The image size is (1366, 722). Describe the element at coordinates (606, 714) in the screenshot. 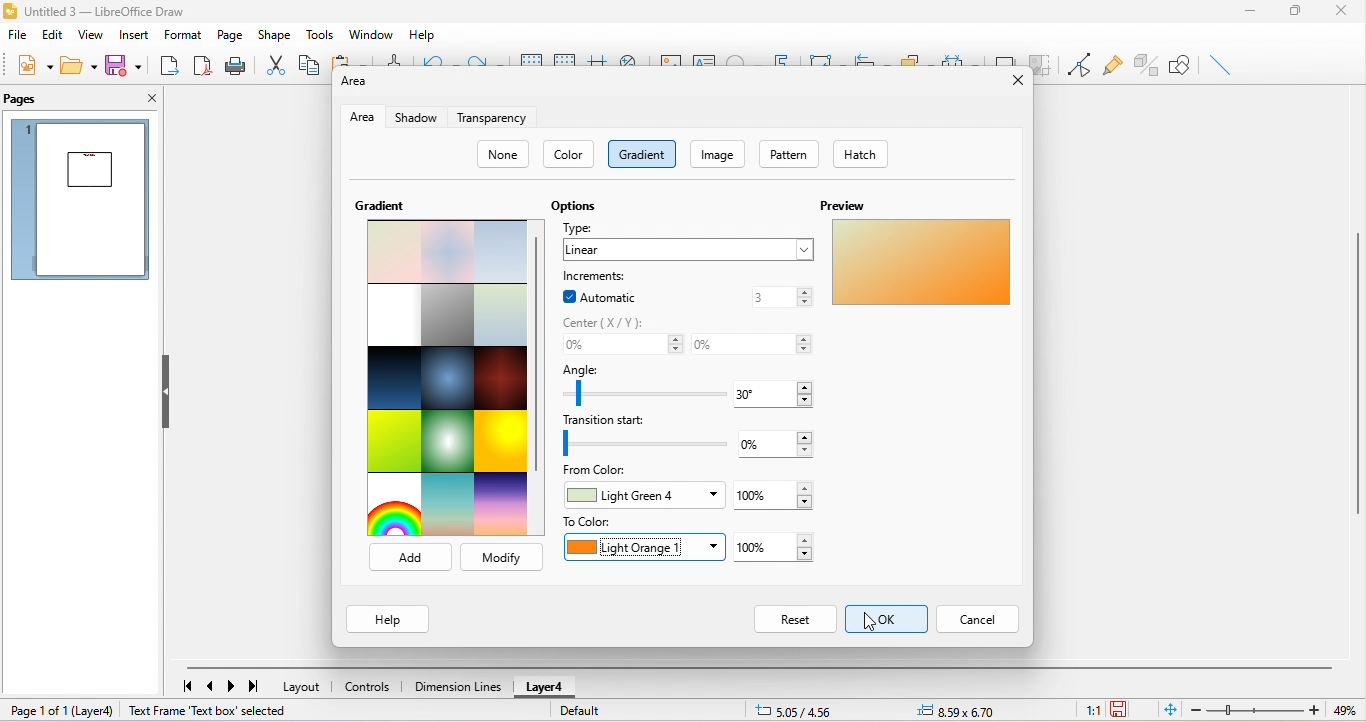

I see `default` at that location.